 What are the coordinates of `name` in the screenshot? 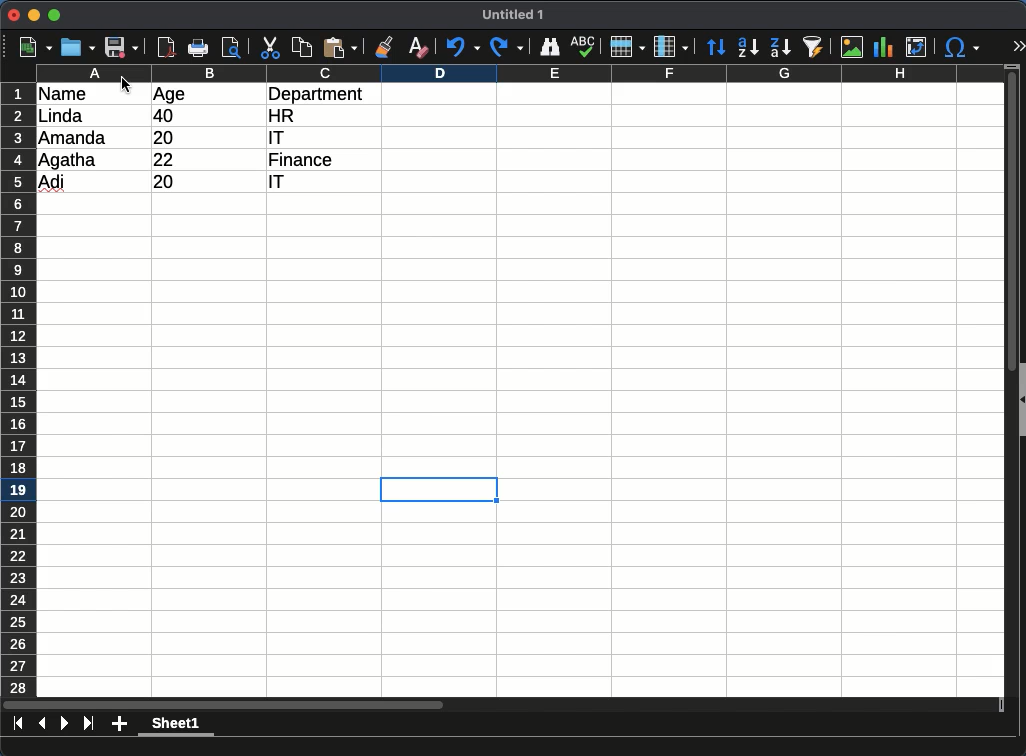 It's located at (73, 93).